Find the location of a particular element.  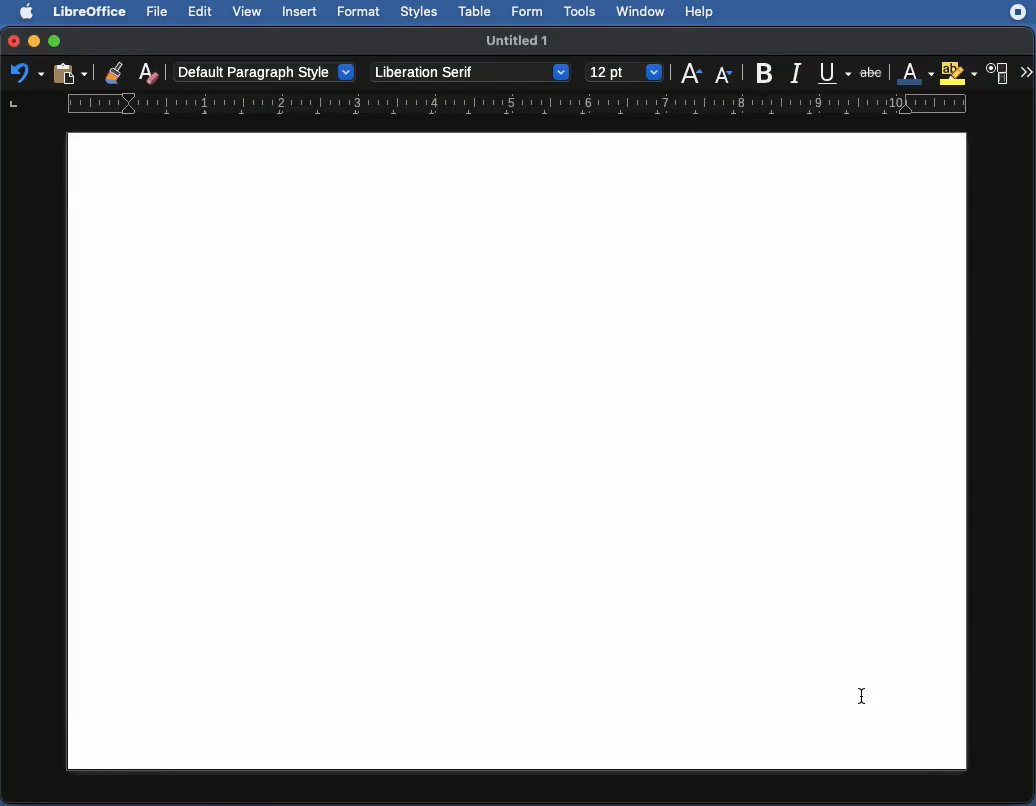

Clear formatting  is located at coordinates (148, 75).